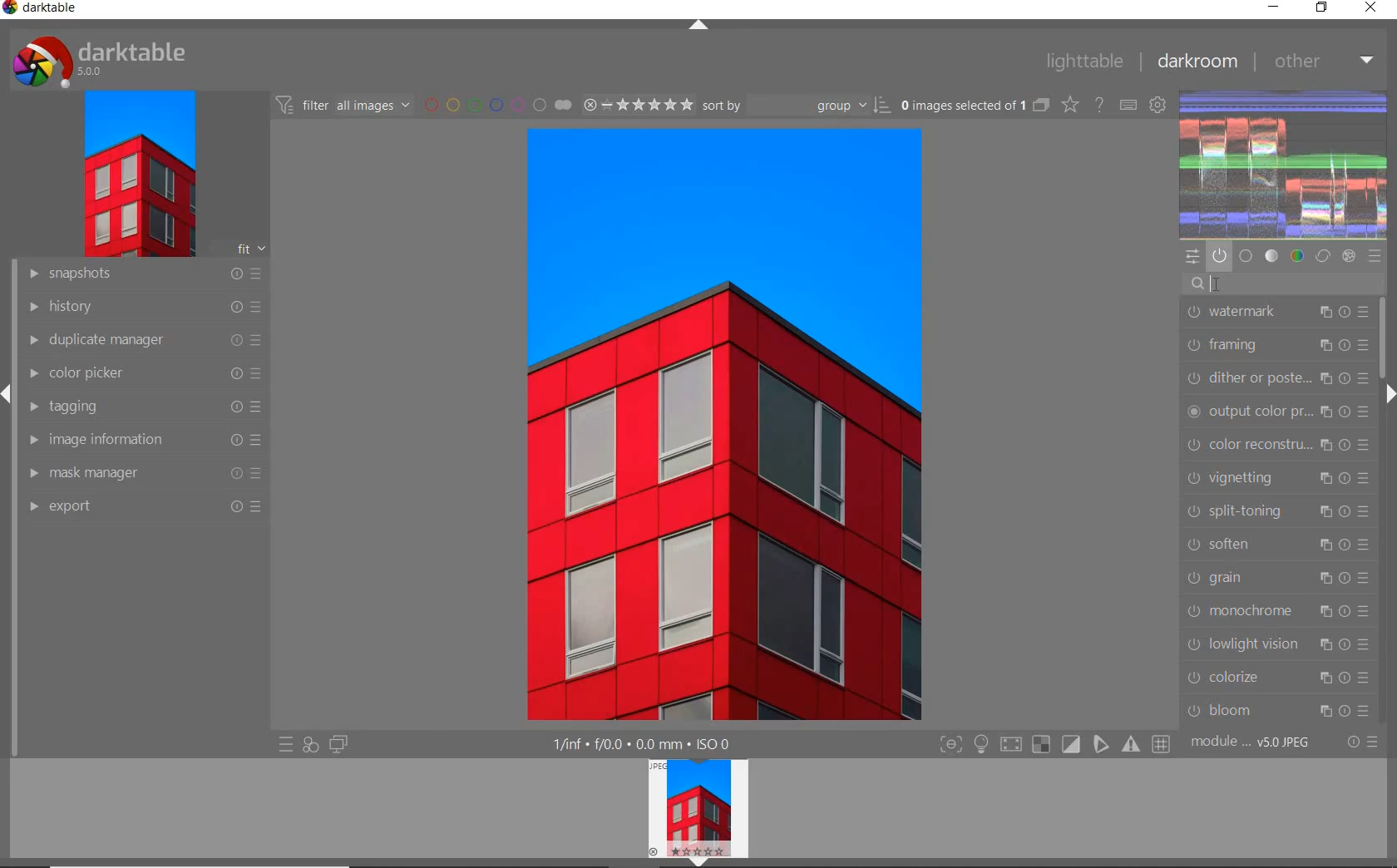  I want to click on correct, so click(1323, 257).